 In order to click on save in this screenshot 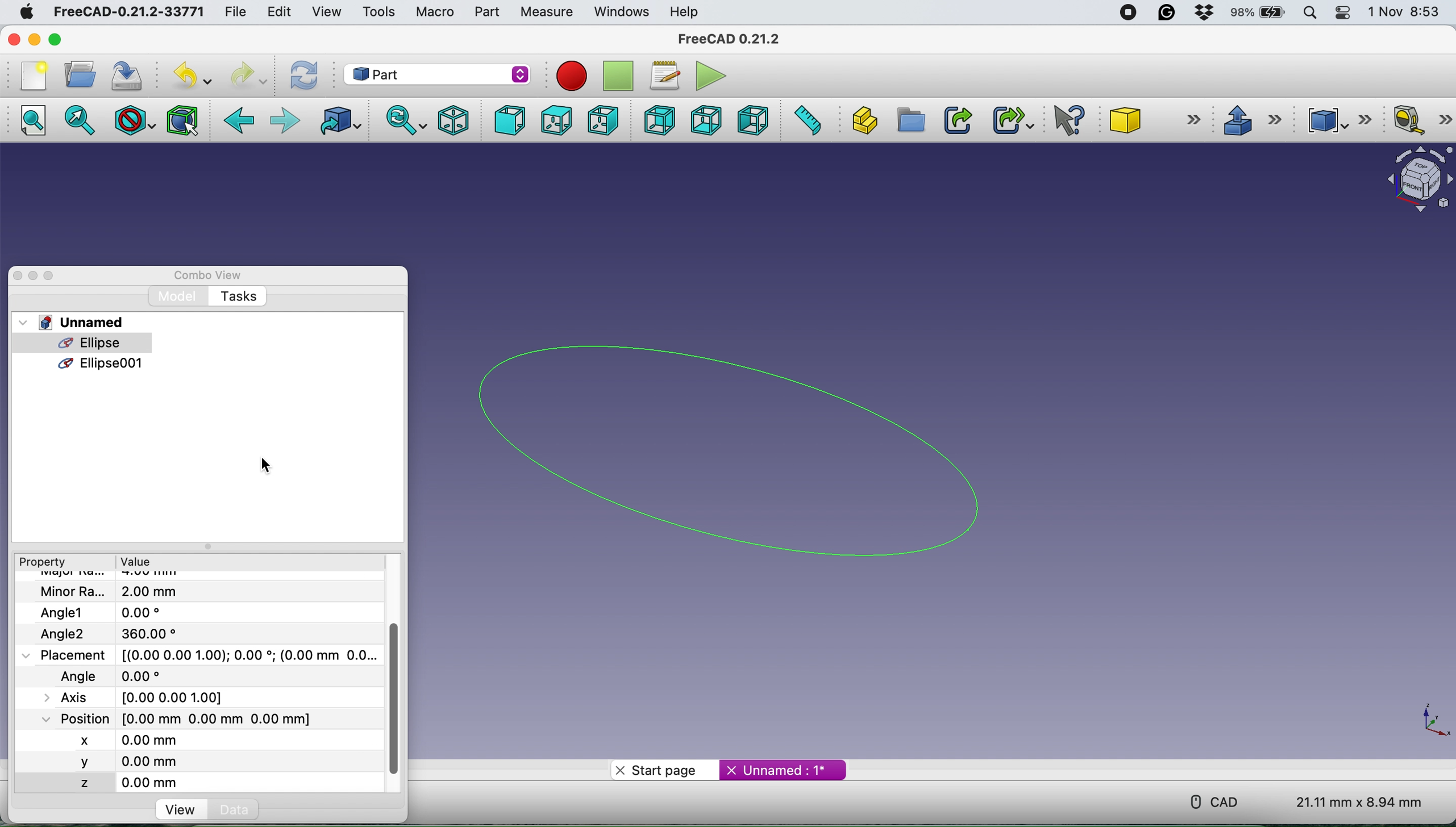, I will do `click(130, 74)`.